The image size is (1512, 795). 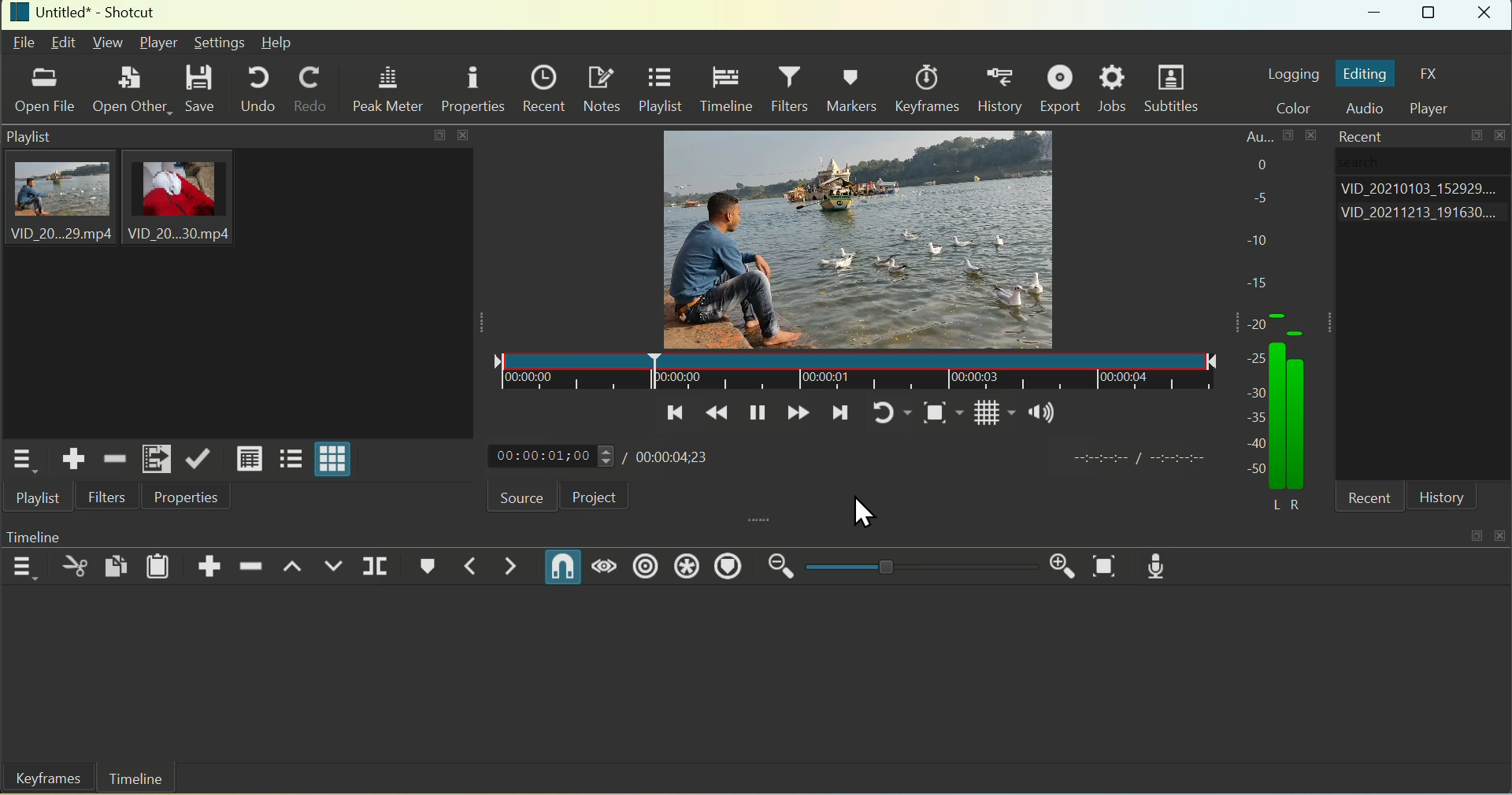 What do you see at coordinates (1487, 15) in the screenshot?
I see `Close` at bounding box center [1487, 15].